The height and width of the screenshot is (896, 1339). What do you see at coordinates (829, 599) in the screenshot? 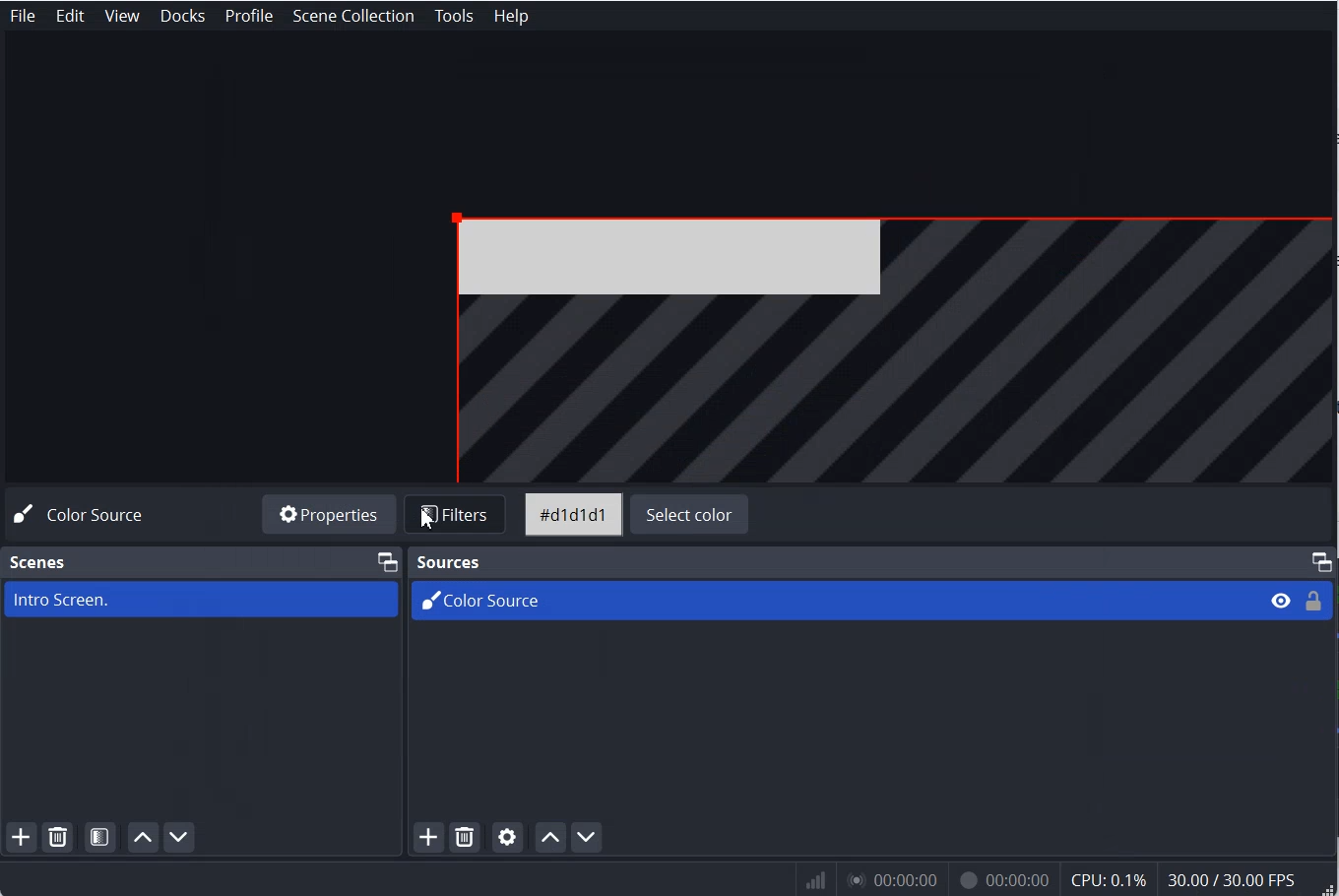
I see `Color Source` at bounding box center [829, 599].